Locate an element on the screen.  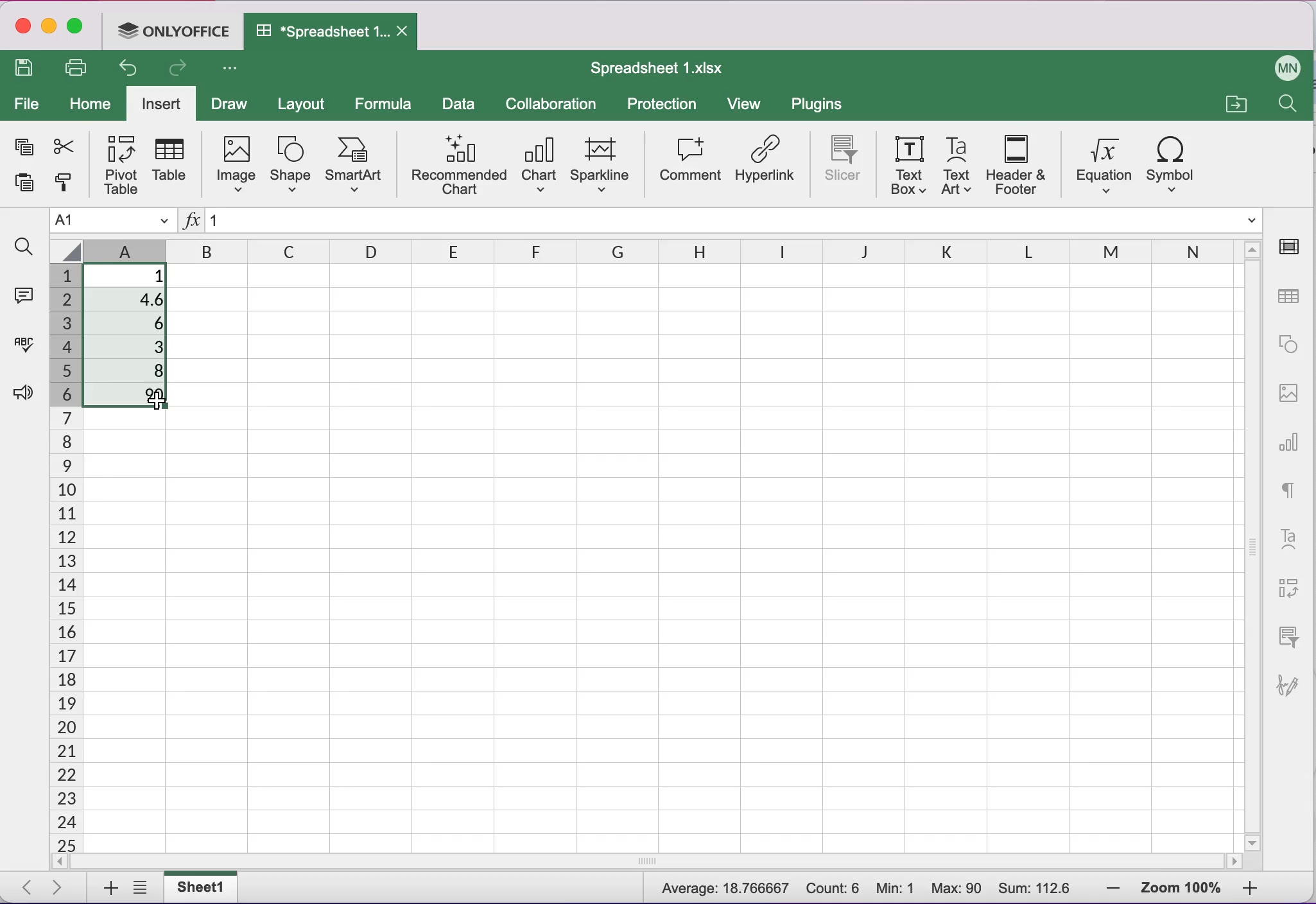
comments is located at coordinates (24, 297).